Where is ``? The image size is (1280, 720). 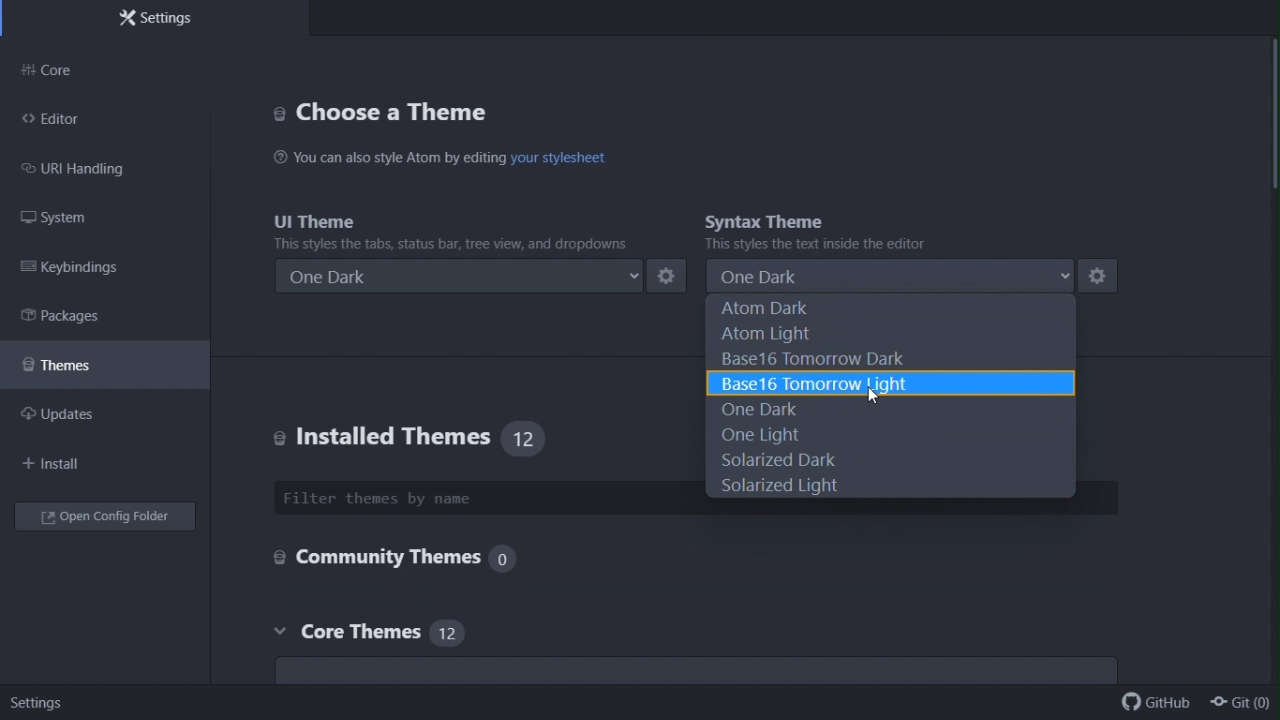
 is located at coordinates (395, 111).